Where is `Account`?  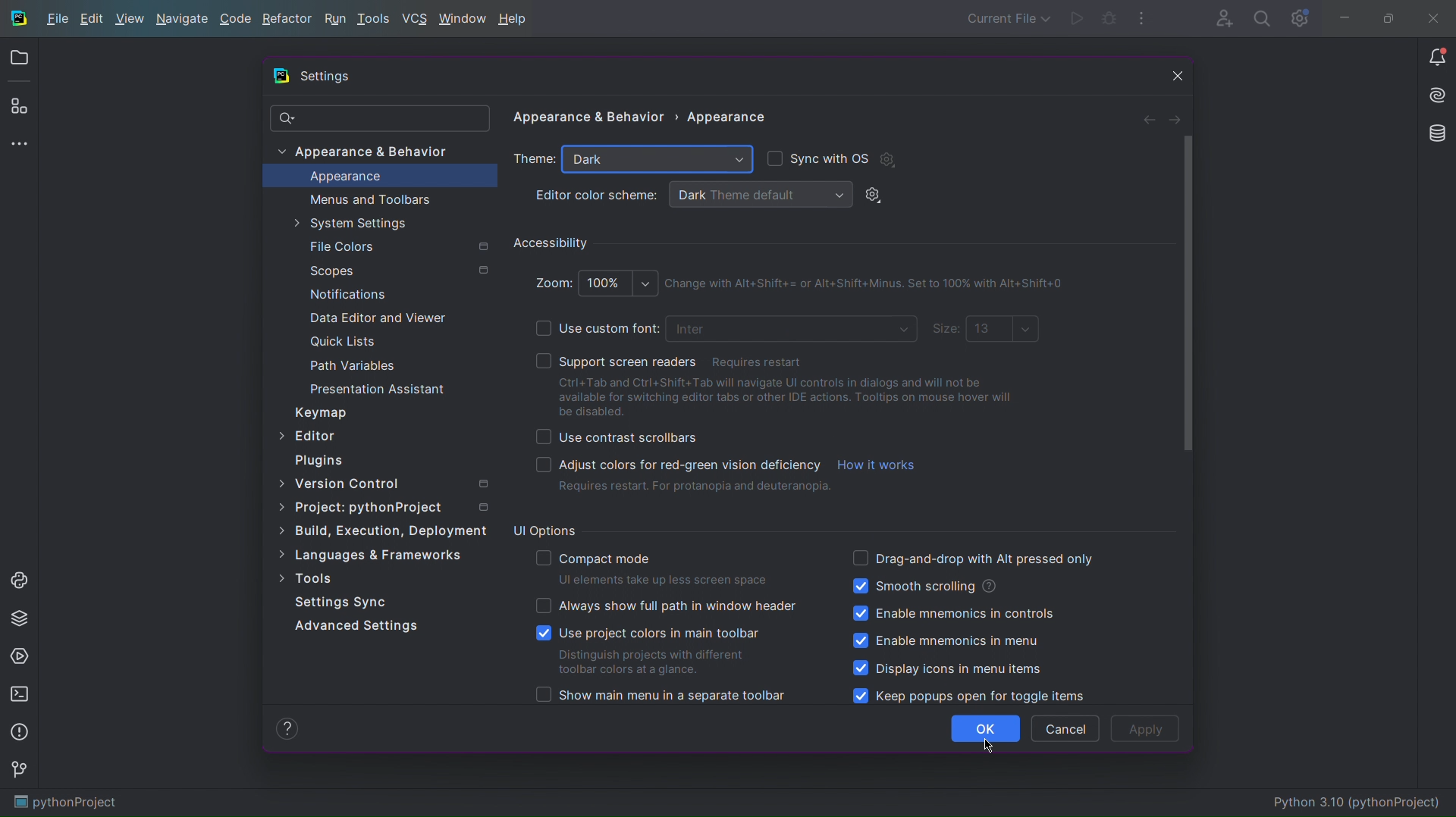 Account is located at coordinates (1219, 17).